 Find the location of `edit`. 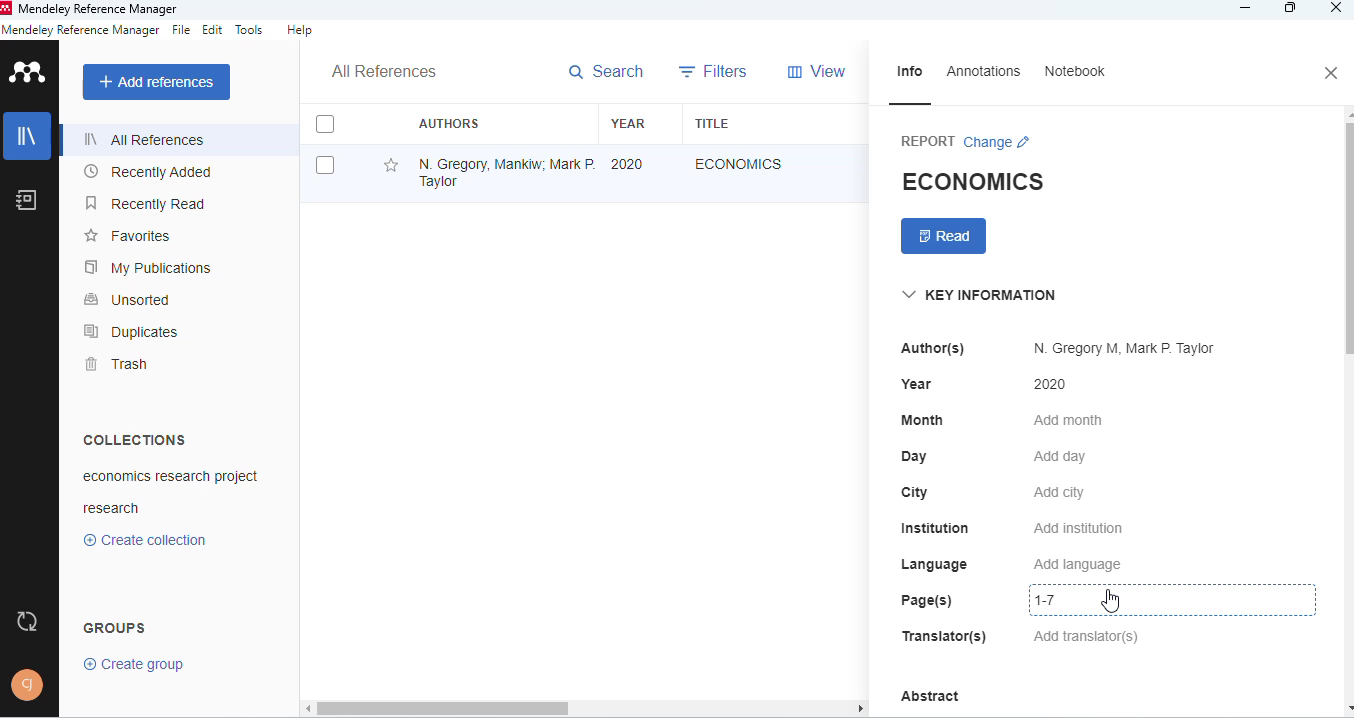

edit is located at coordinates (214, 29).